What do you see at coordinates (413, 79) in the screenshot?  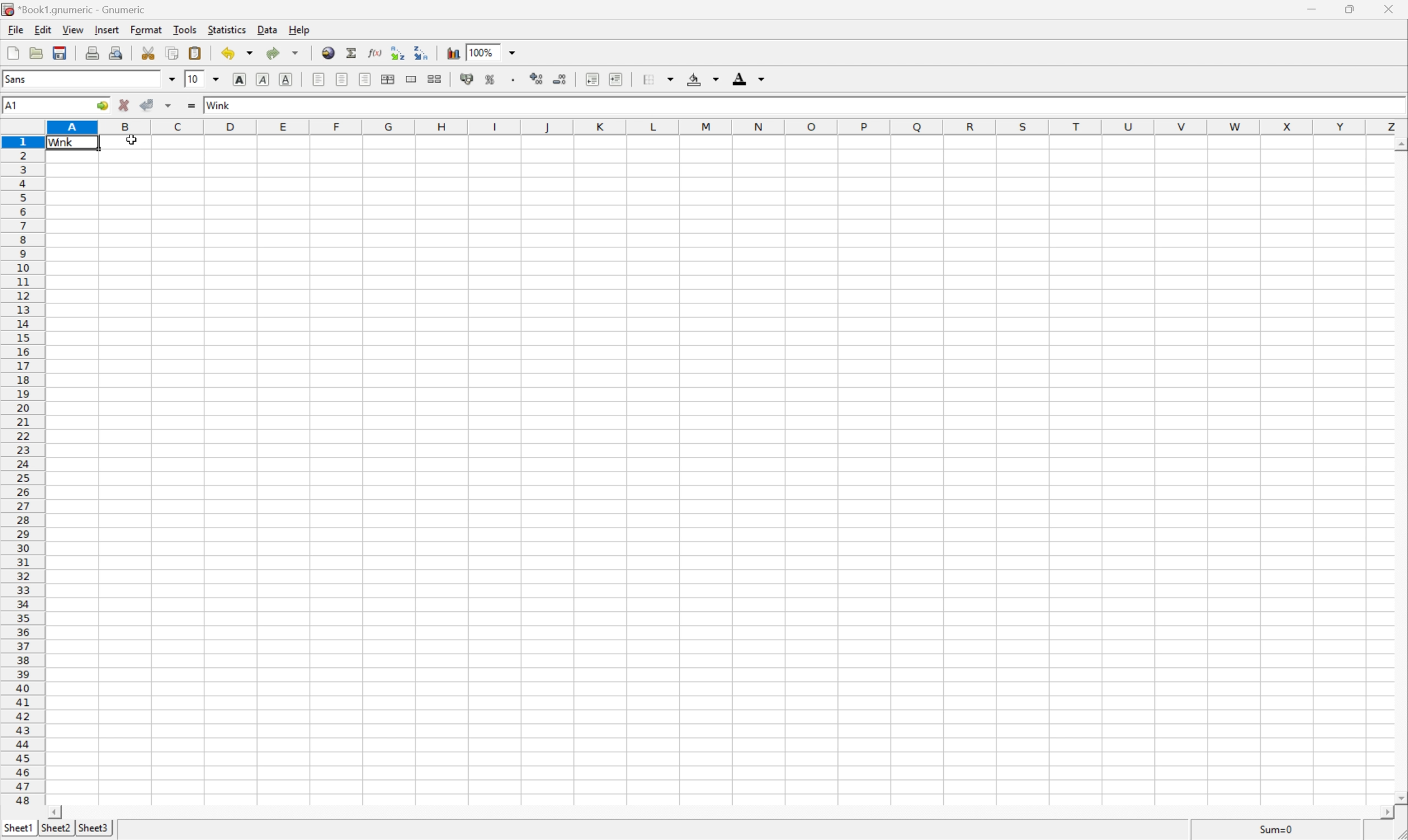 I see `split range of cells` at bounding box center [413, 79].